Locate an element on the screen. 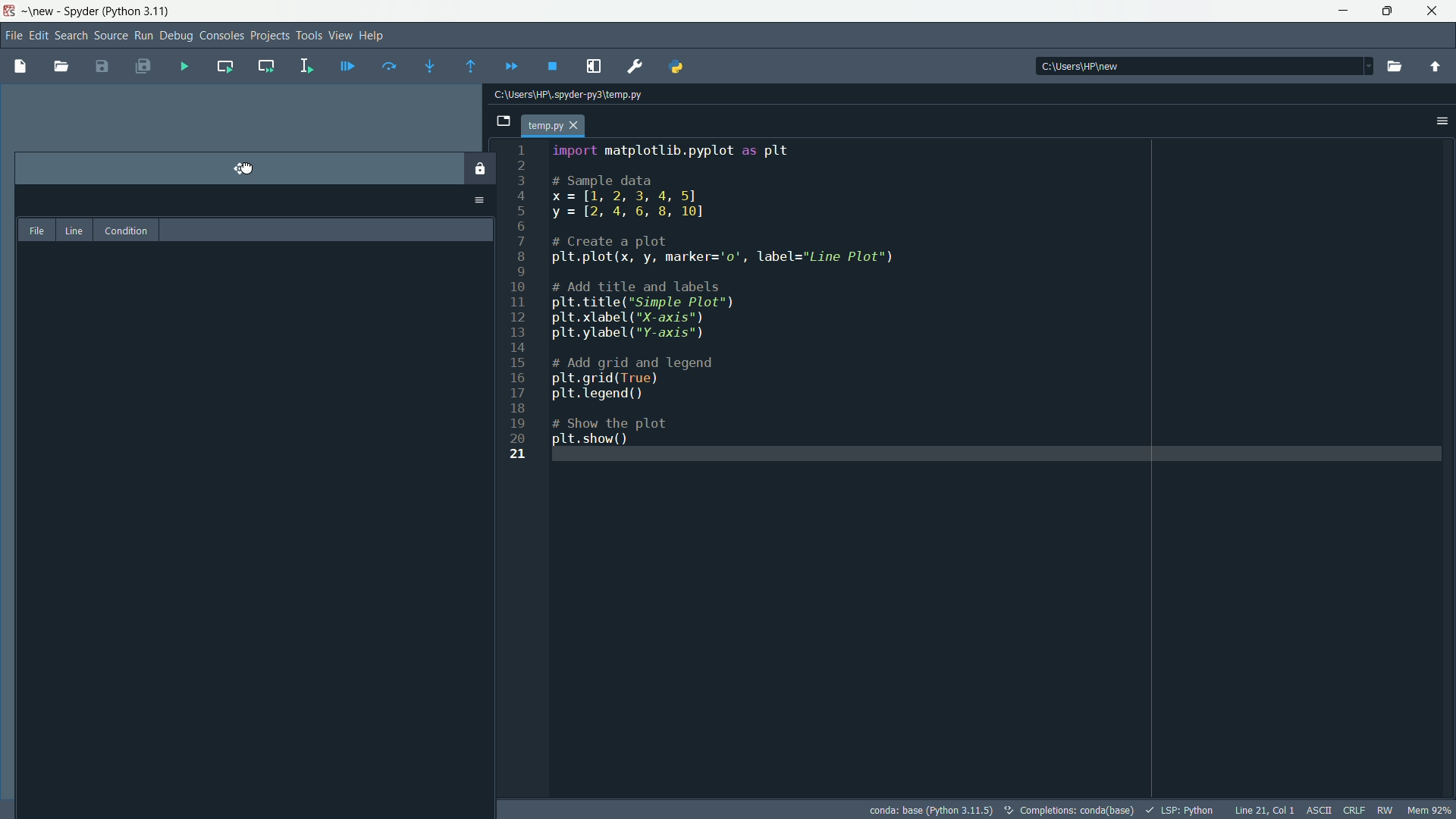  continue execution untill function is located at coordinates (466, 61).